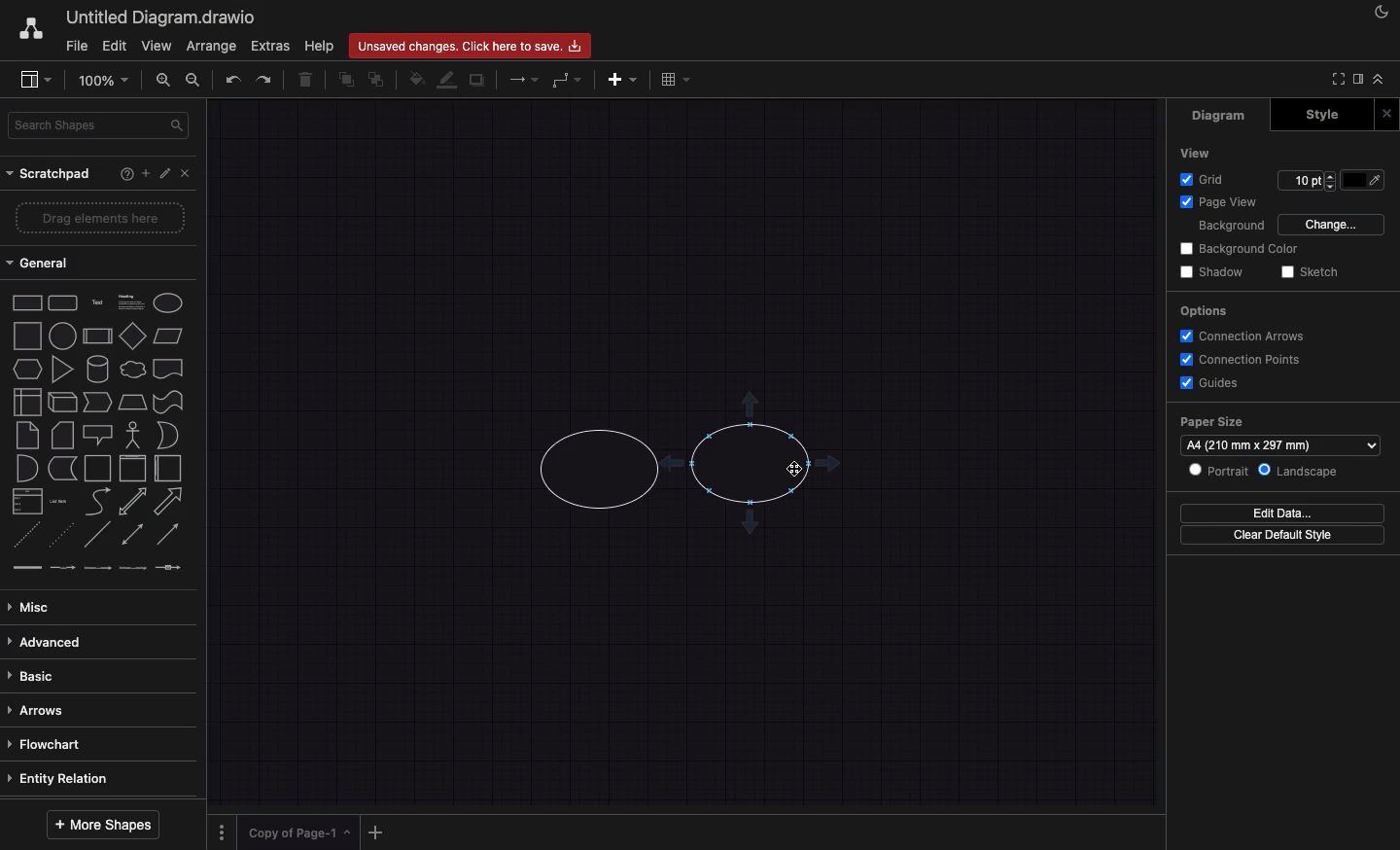 The height and width of the screenshot is (850, 1400). I want to click on circle, so click(749, 465).